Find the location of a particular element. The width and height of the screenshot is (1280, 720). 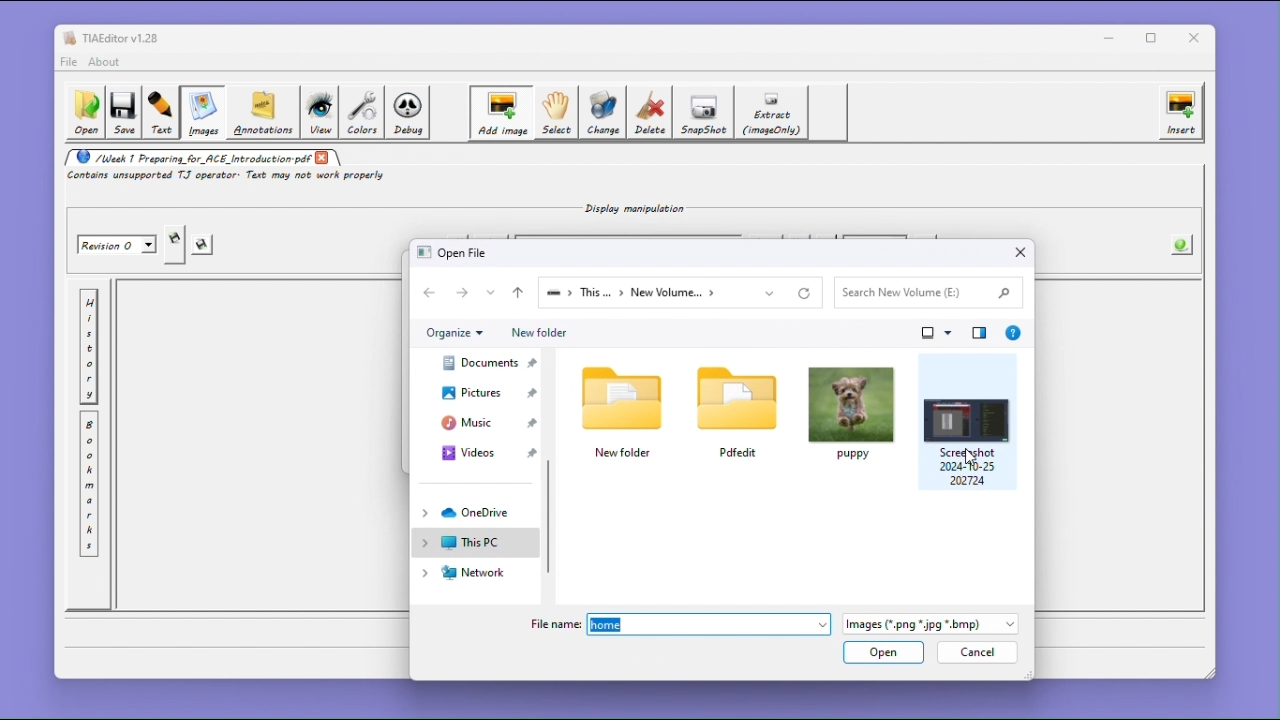

save is located at coordinates (204, 246).